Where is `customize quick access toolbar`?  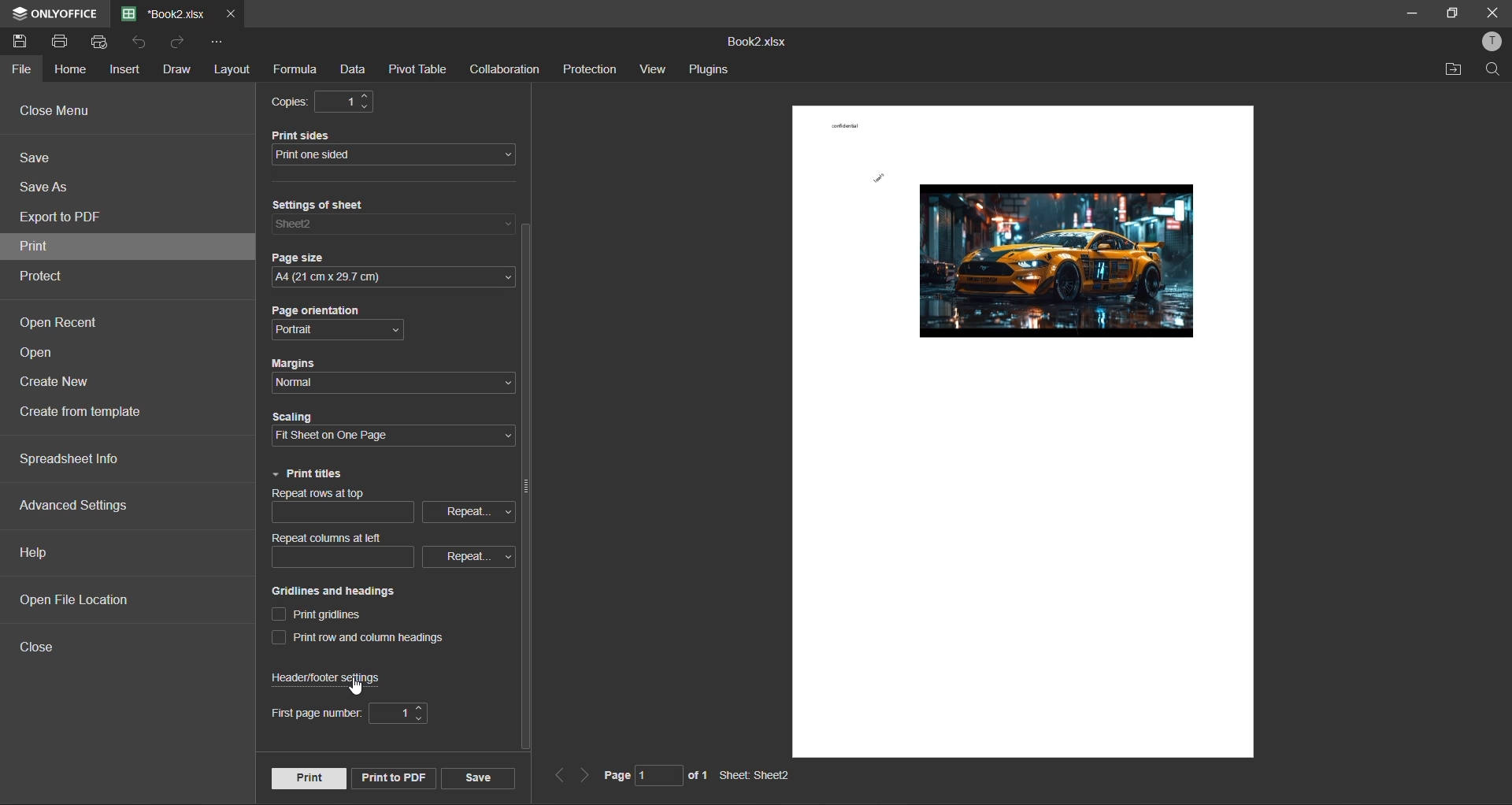 customize quick access toolbar is located at coordinates (216, 42).